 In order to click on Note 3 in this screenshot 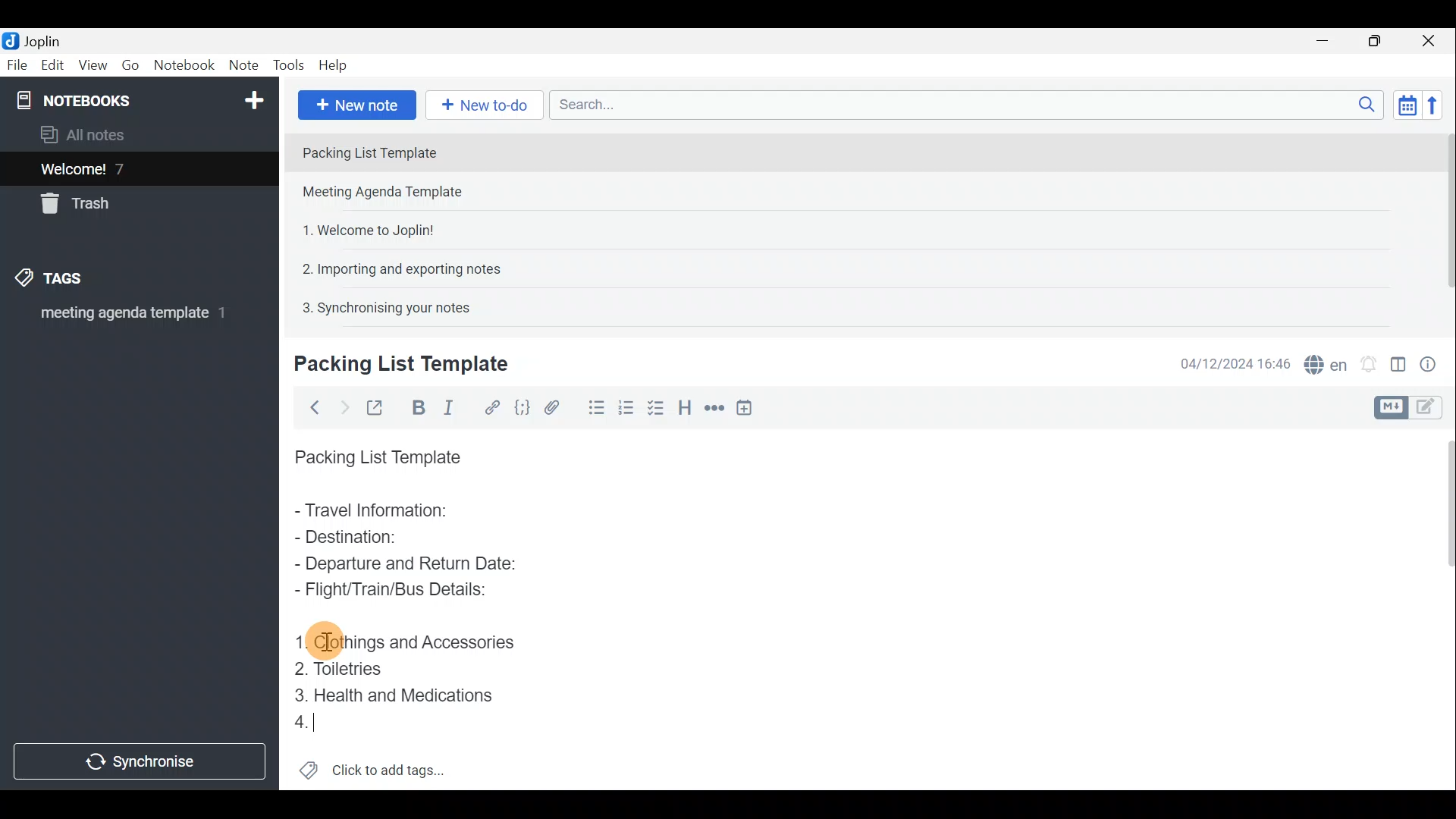, I will do `click(362, 228)`.